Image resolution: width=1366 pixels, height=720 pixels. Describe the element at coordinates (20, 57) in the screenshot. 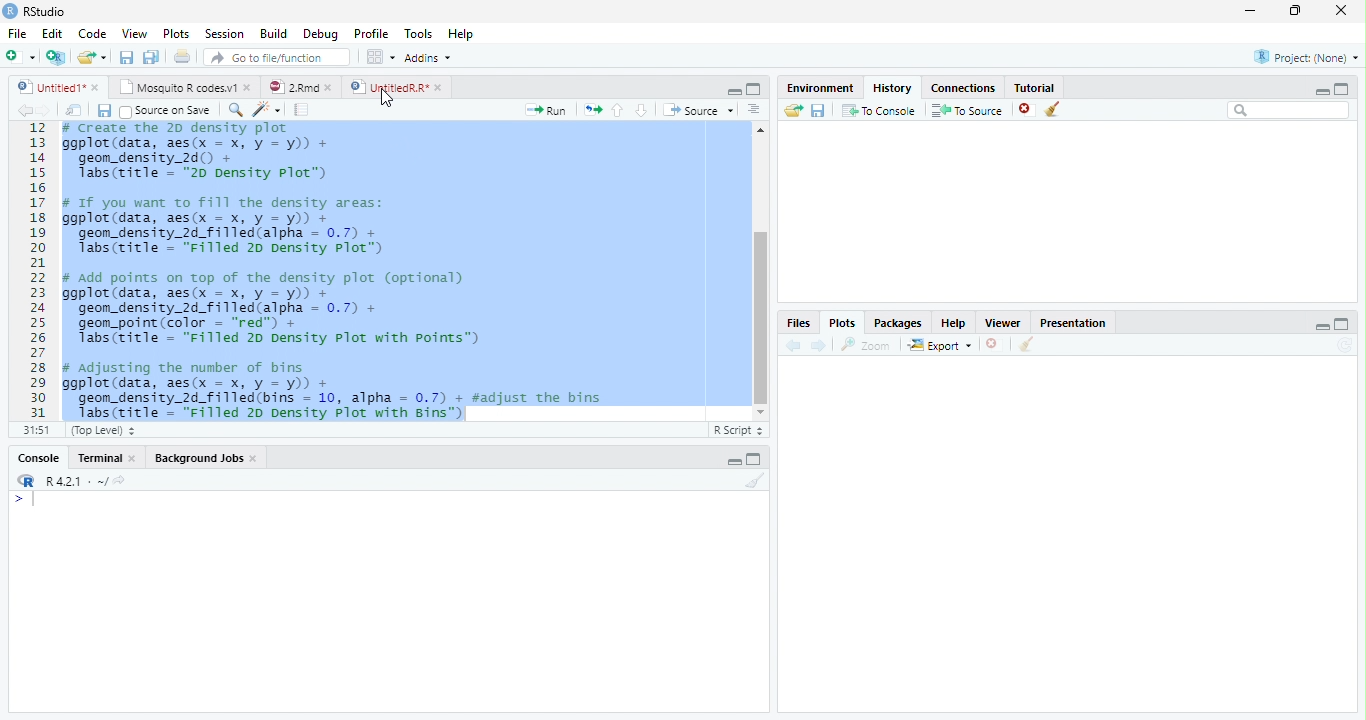

I see `New file` at that location.